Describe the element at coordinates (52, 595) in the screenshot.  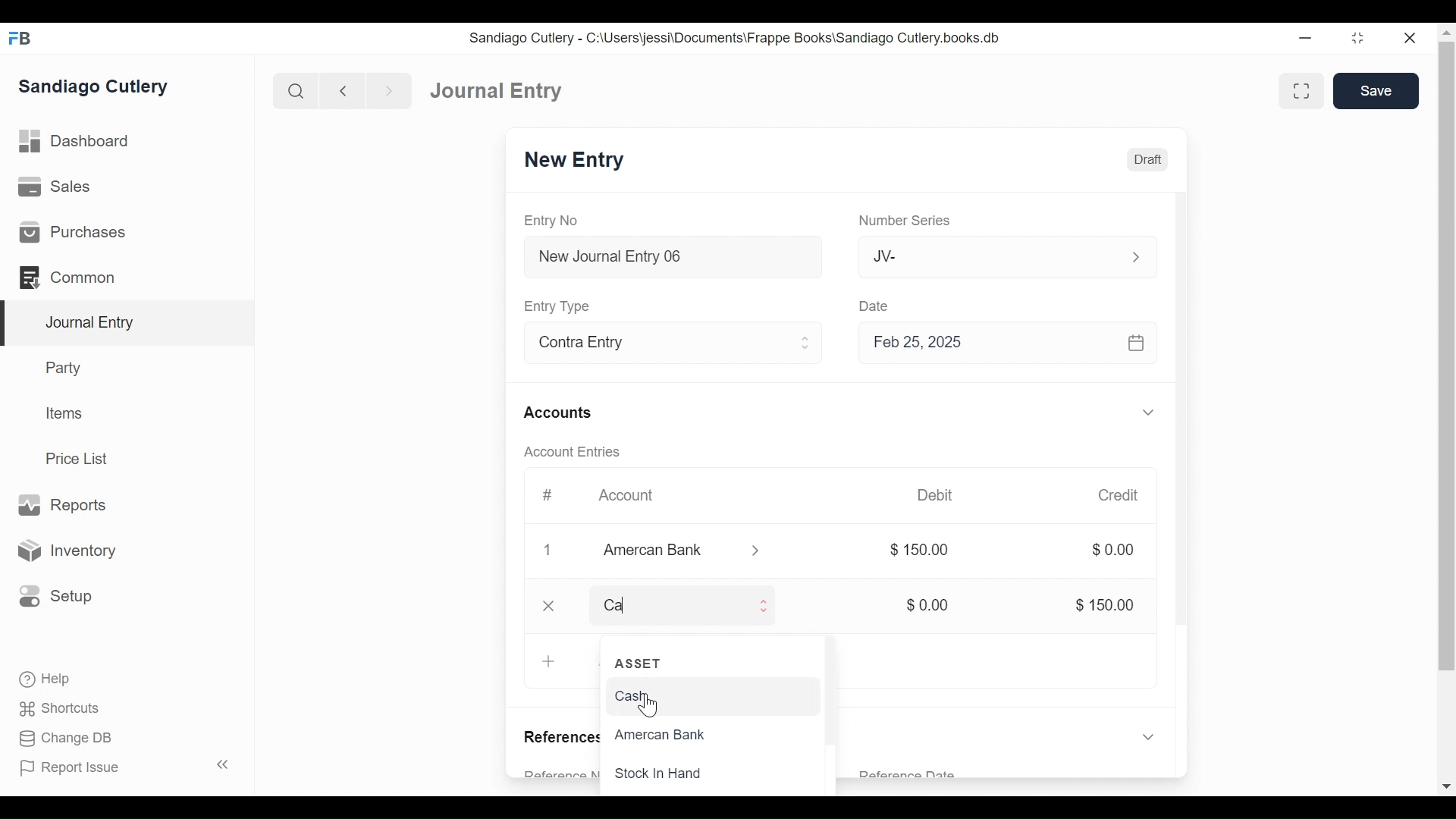
I see `Setup` at that location.